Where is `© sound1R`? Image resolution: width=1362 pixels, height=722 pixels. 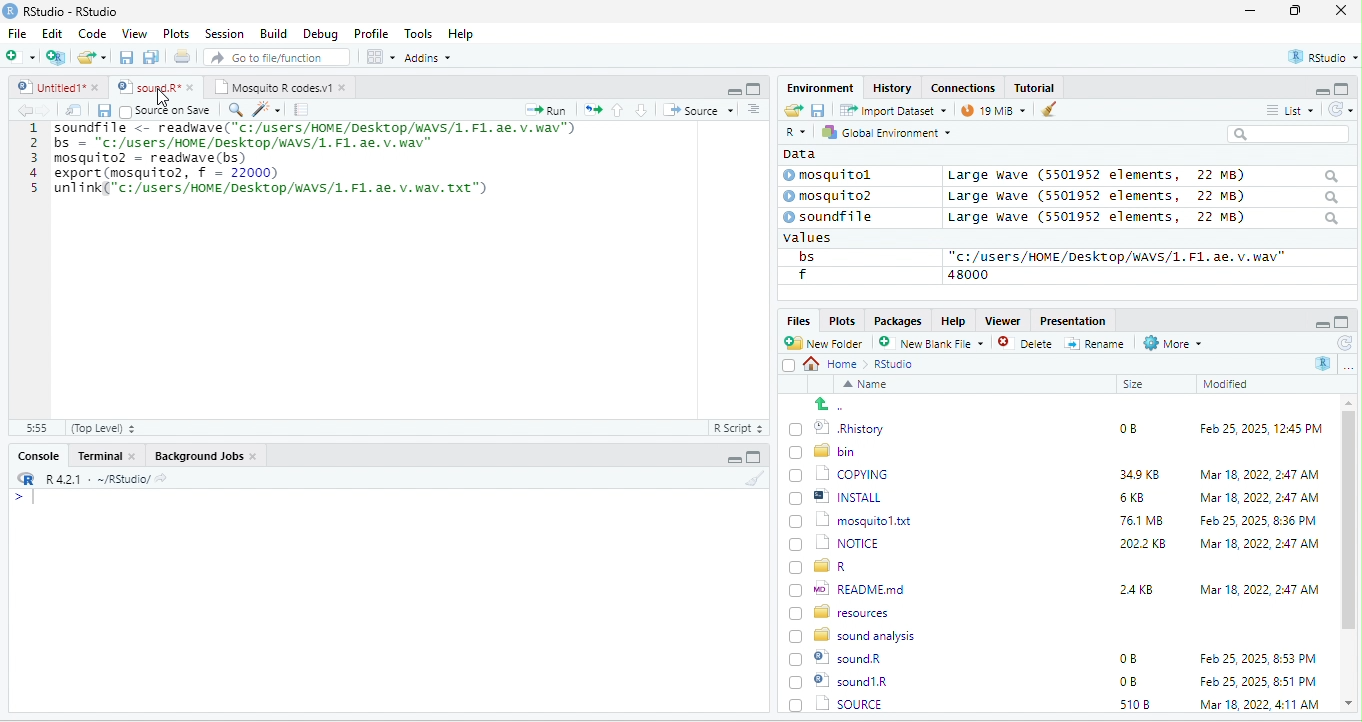
© sound1R is located at coordinates (842, 660).